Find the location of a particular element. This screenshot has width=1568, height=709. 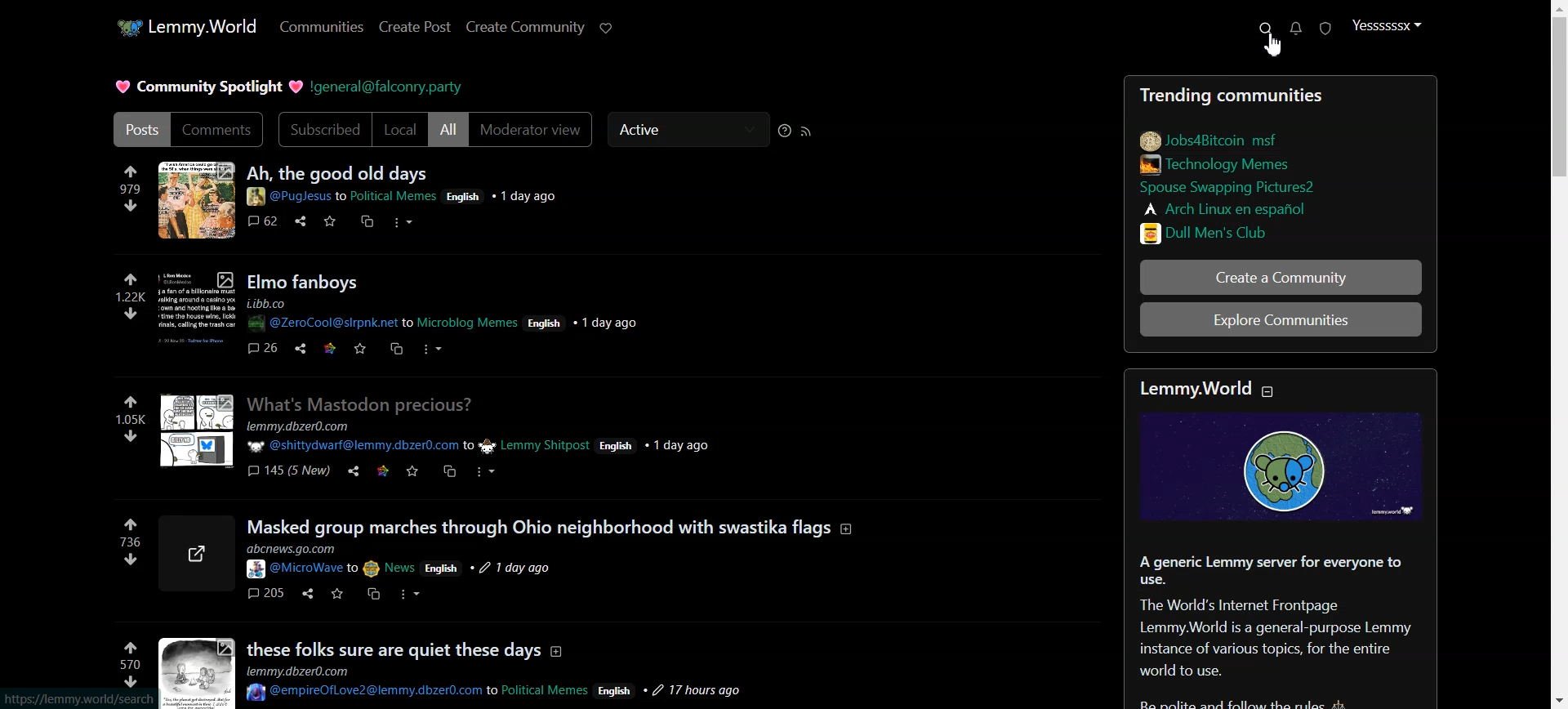

link is located at coordinates (1206, 231).